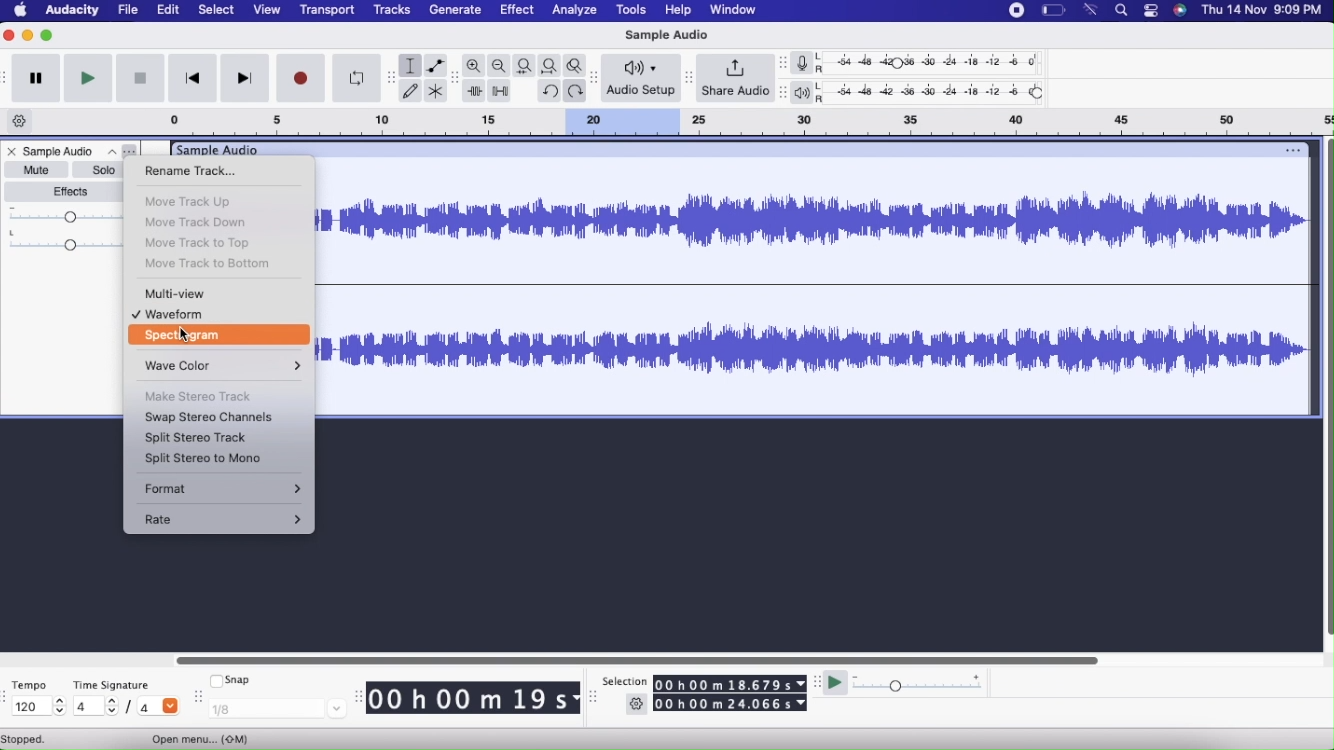 Image resolution: width=1334 pixels, height=750 pixels. Describe the element at coordinates (475, 90) in the screenshot. I see `Trim outside selection` at that location.